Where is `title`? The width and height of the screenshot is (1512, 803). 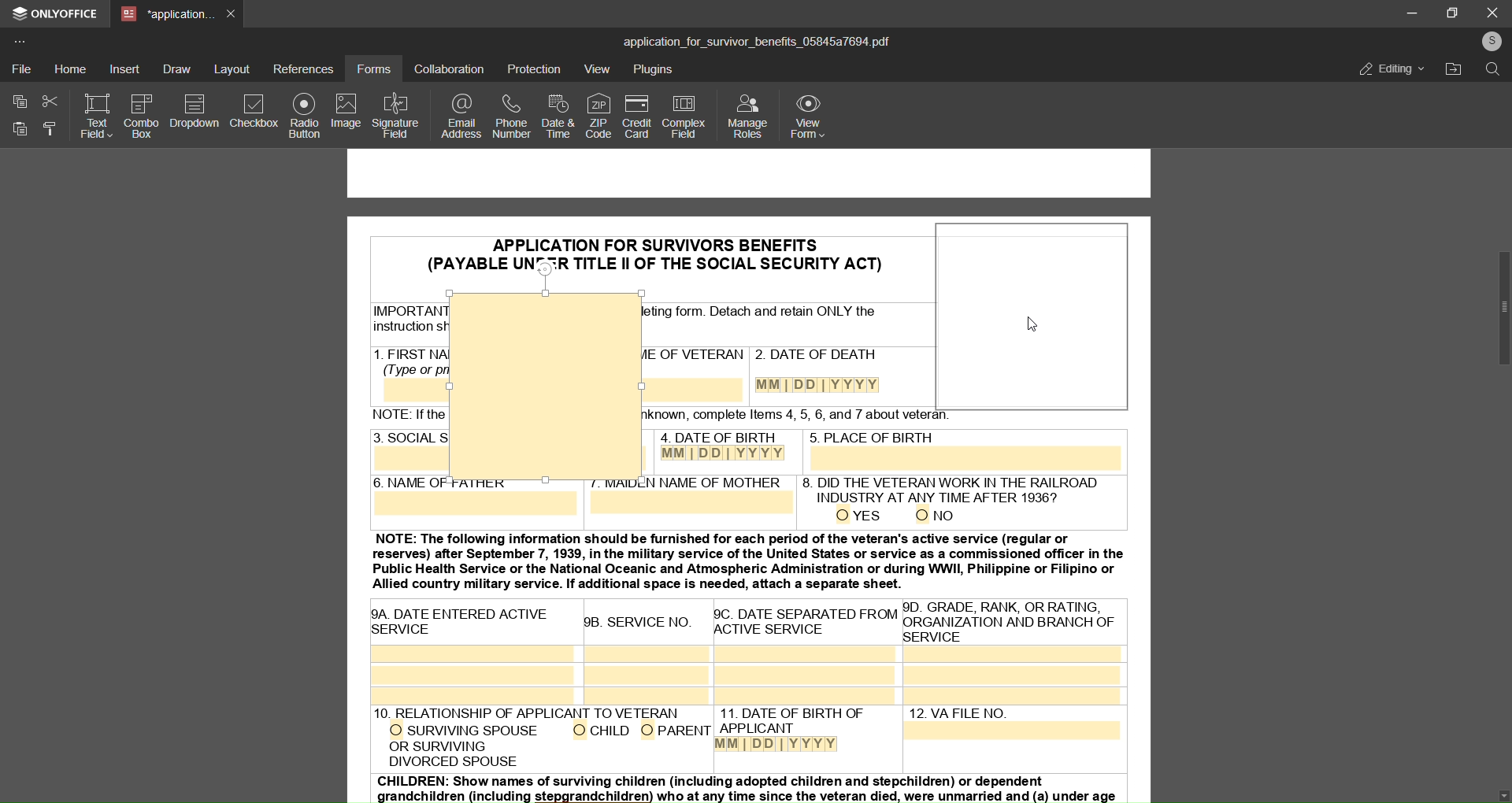 title is located at coordinates (756, 40).